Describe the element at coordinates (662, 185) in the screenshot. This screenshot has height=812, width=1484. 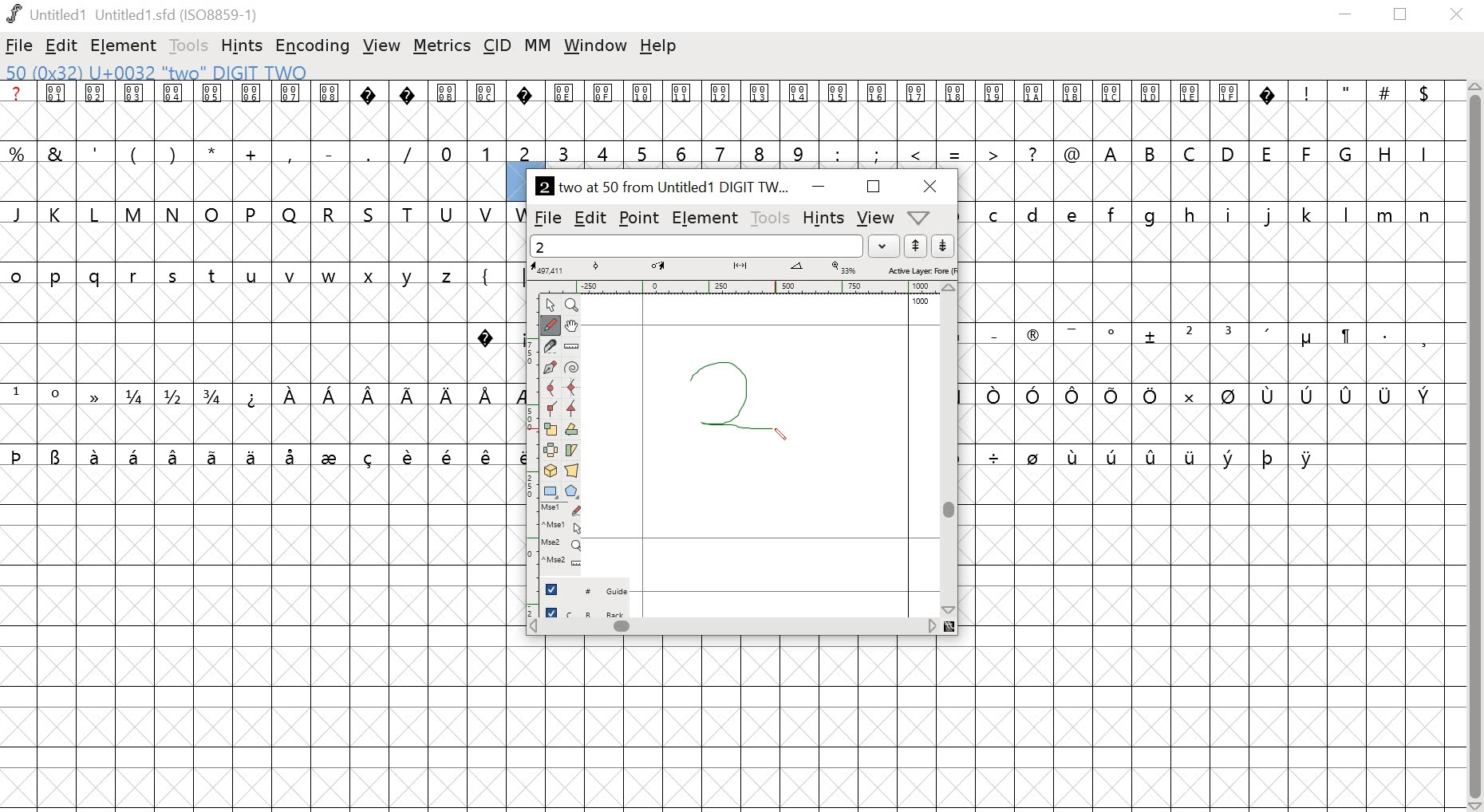
I see `2 two at 50 from Untitled1 DIGIT TW...` at that location.